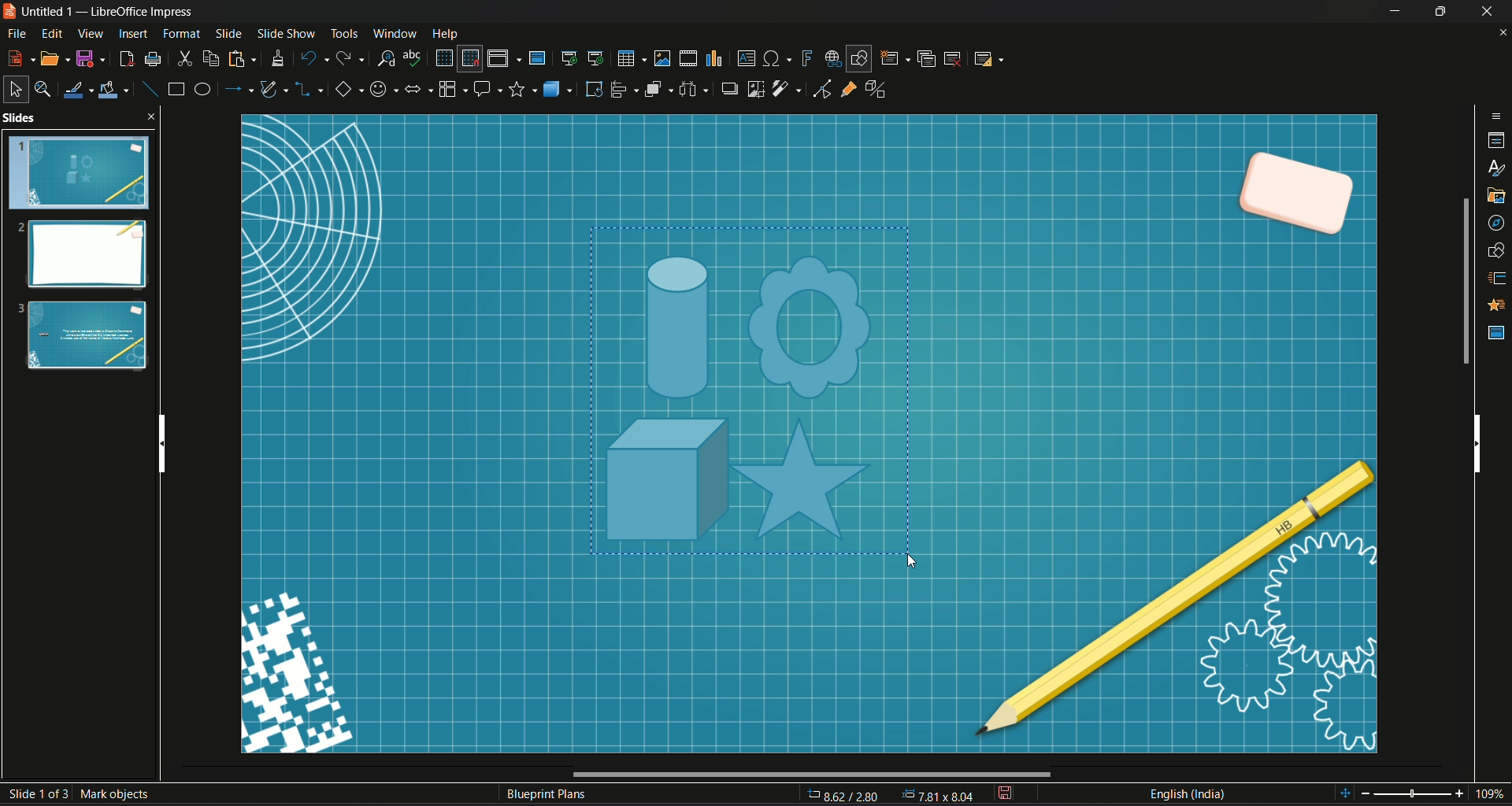 The height and width of the screenshot is (806, 1512). What do you see at coordinates (350, 57) in the screenshot?
I see `redo` at bounding box center [350, 57].